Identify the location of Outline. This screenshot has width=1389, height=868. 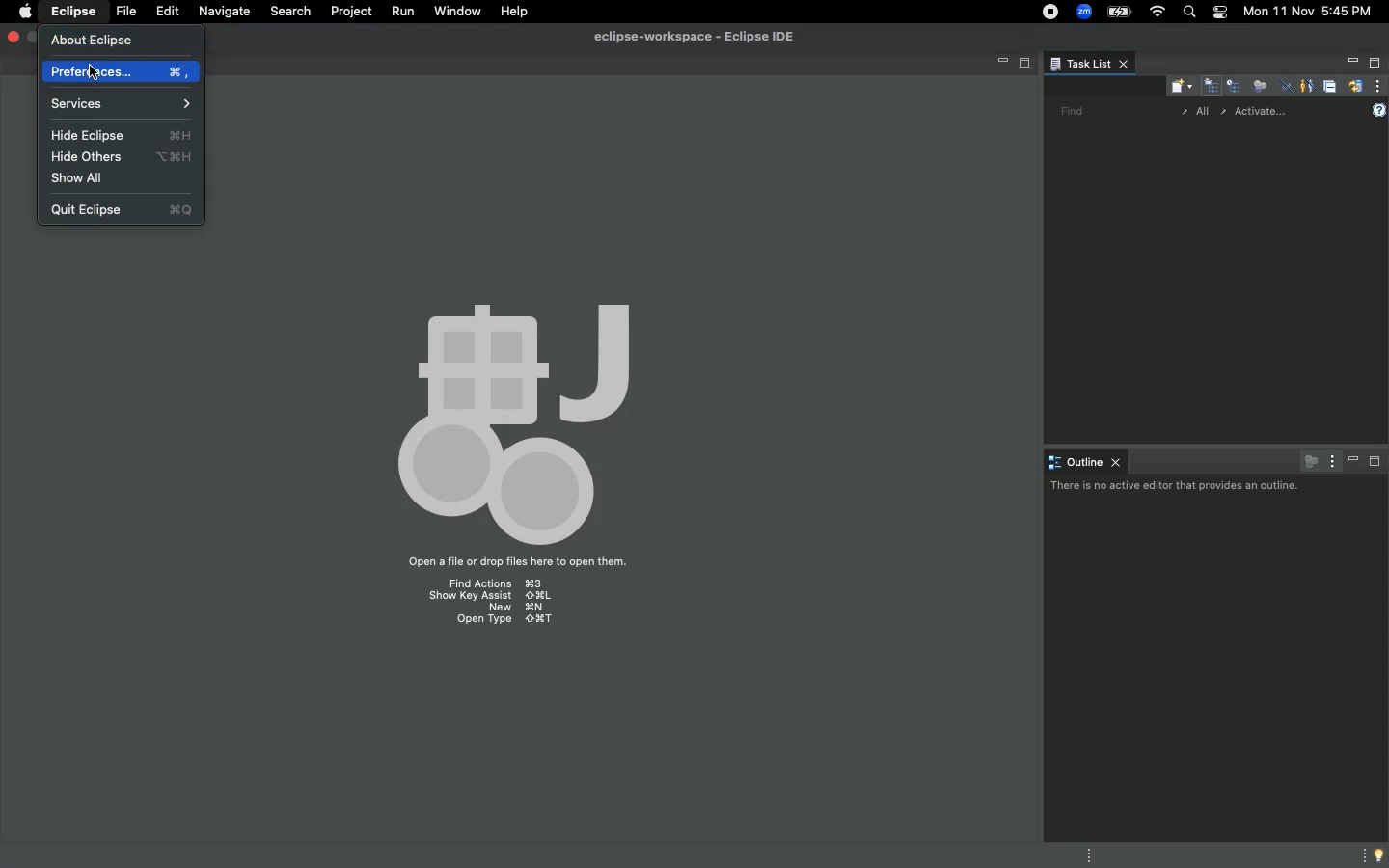
(1085, 461).